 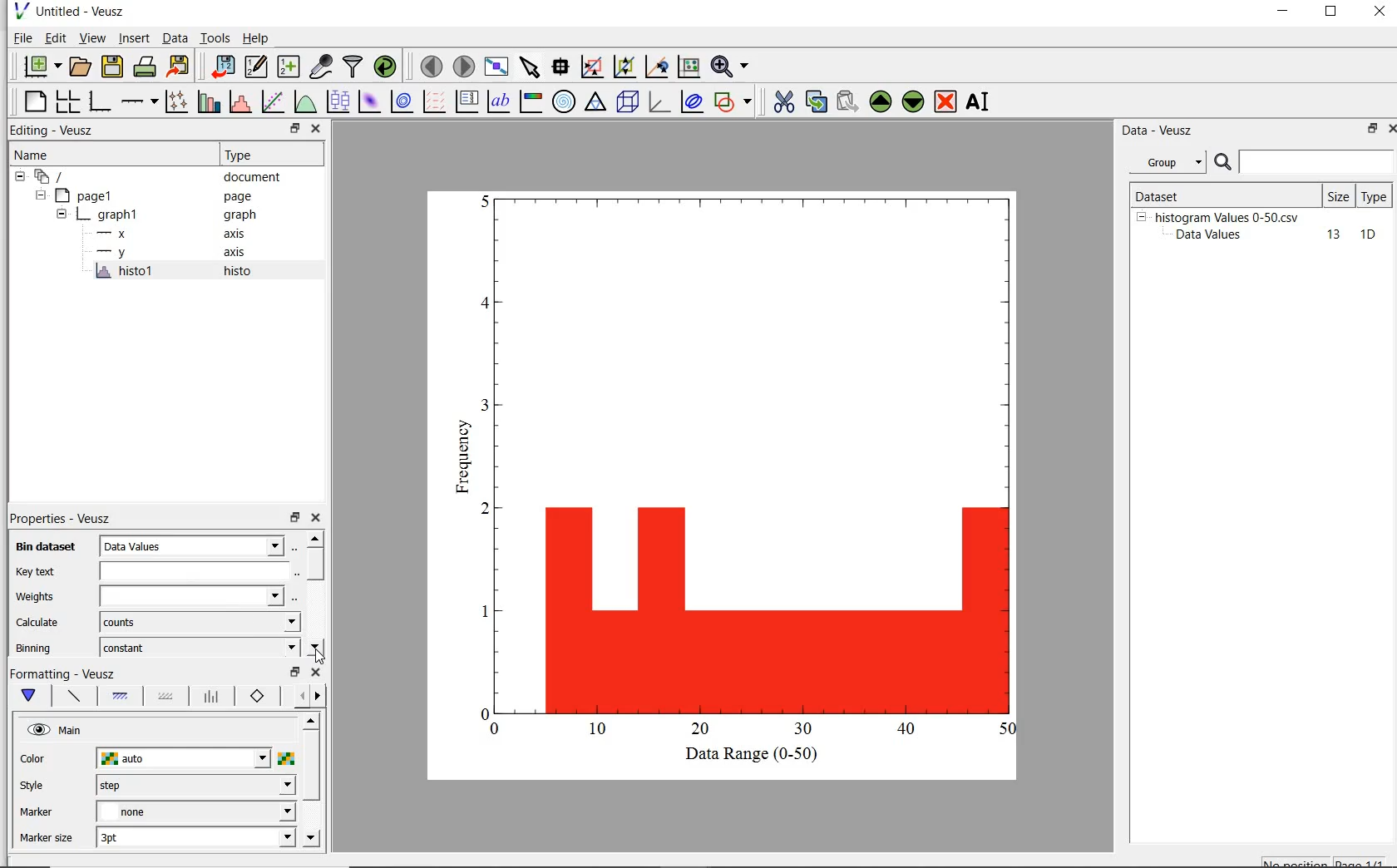 I want to click on Data Range (0-50), so click(x=754, y=755).